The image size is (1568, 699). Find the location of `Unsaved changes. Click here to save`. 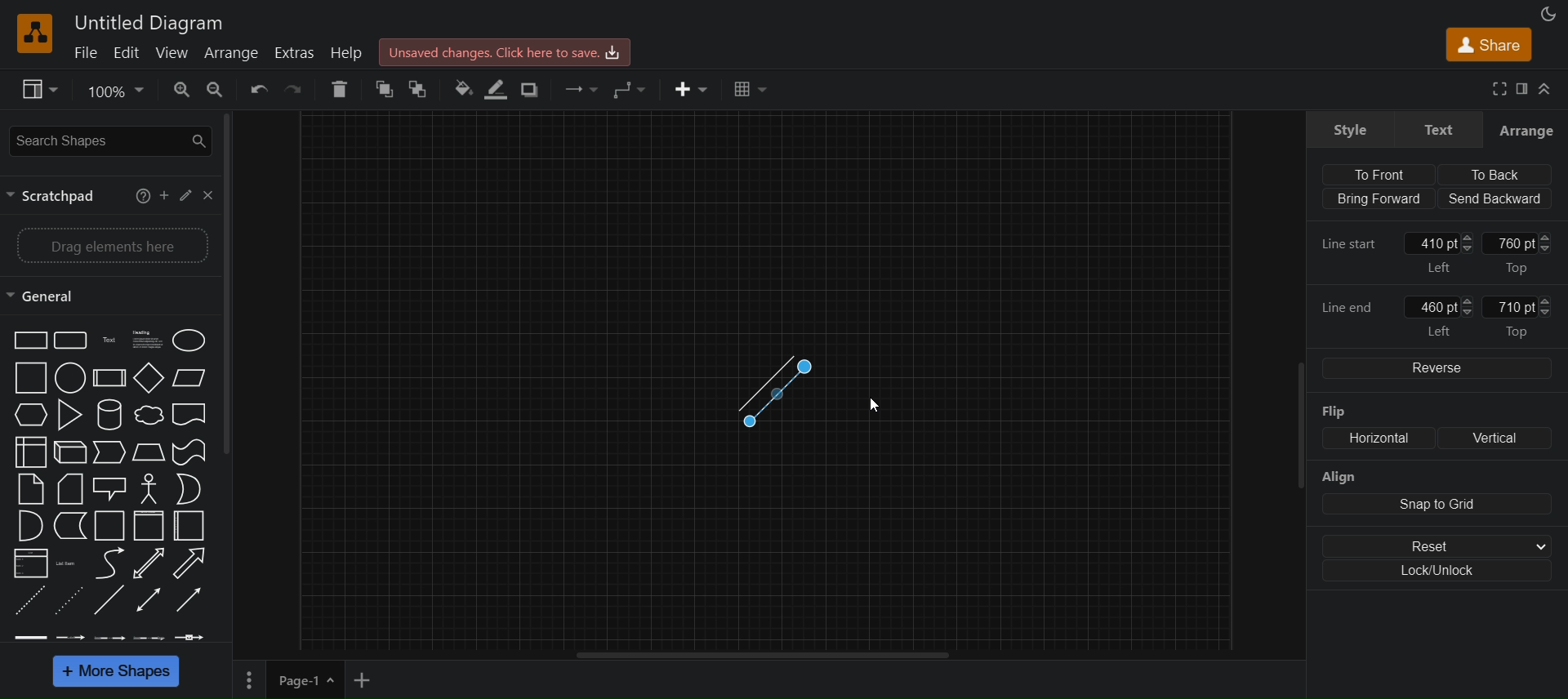

Unsaved changes. Click here to save is located at coordinates (506, 51).